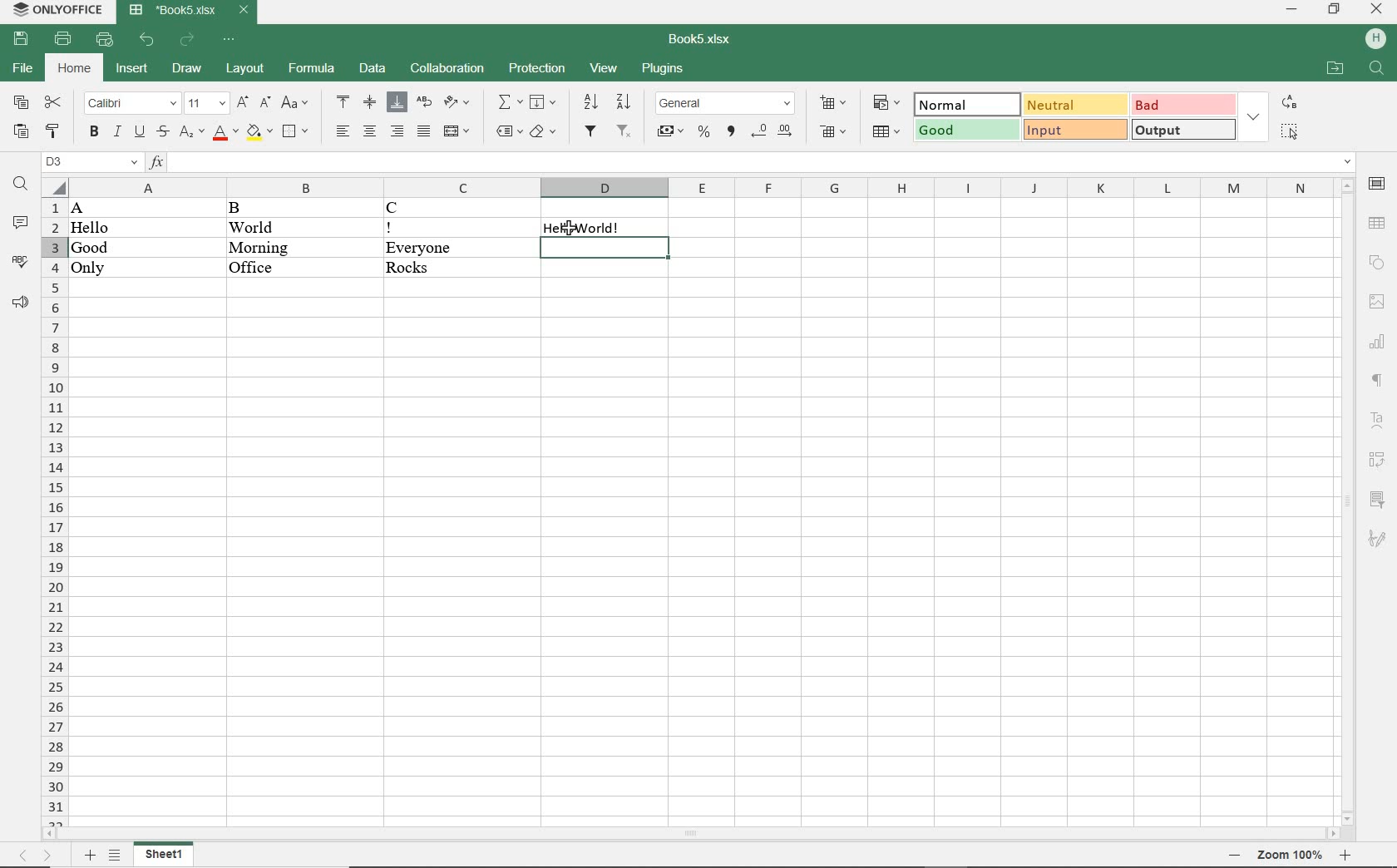 This screenshot has width=1397, height=868. Describe the element at coordinates (206, 103) in the screenshot. I see `FONT SIZE` at that location.